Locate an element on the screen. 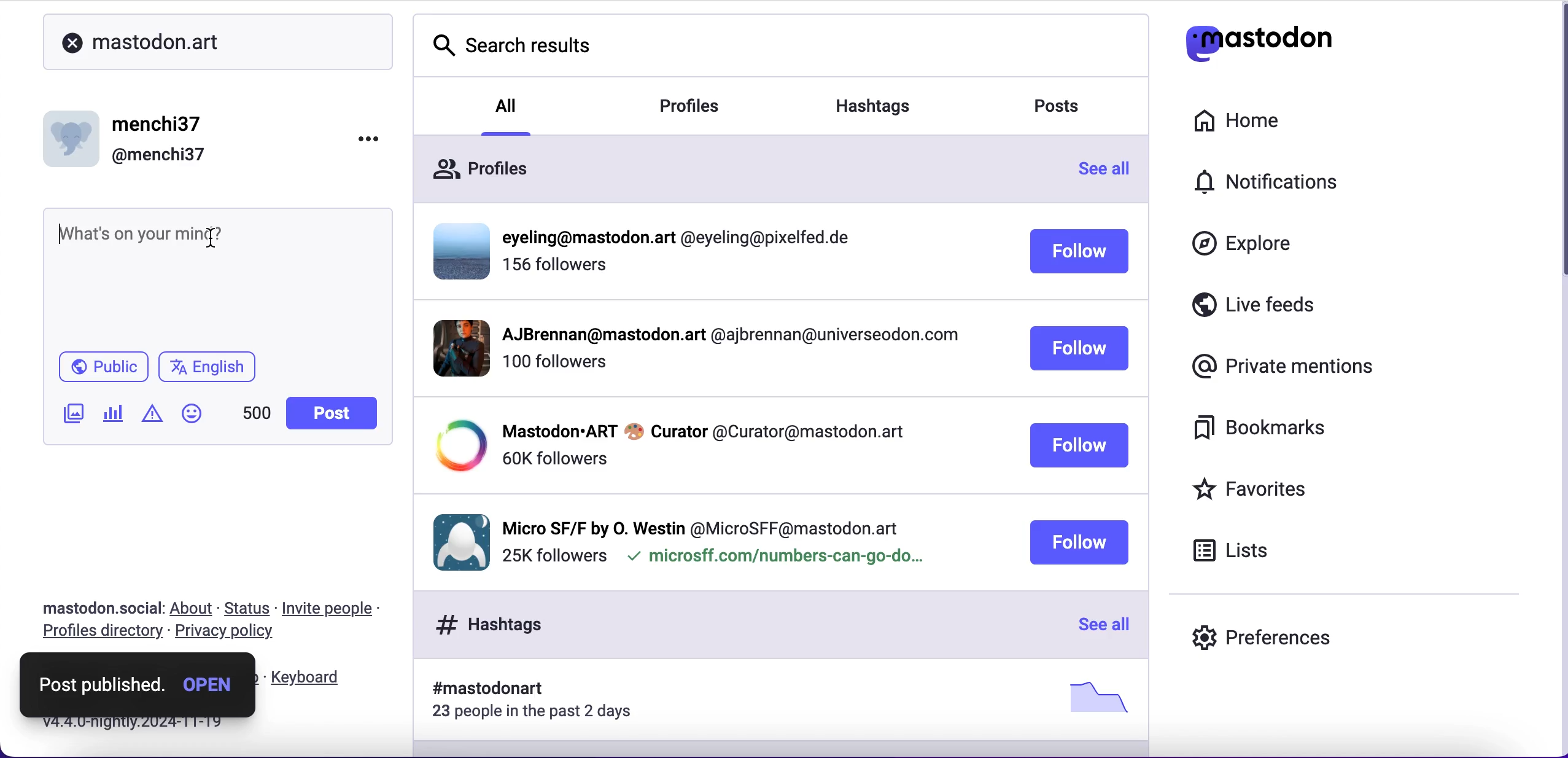 The width and height of the screenshot is (1568, 758). scroll bar is located at coordinates (1557, 147).